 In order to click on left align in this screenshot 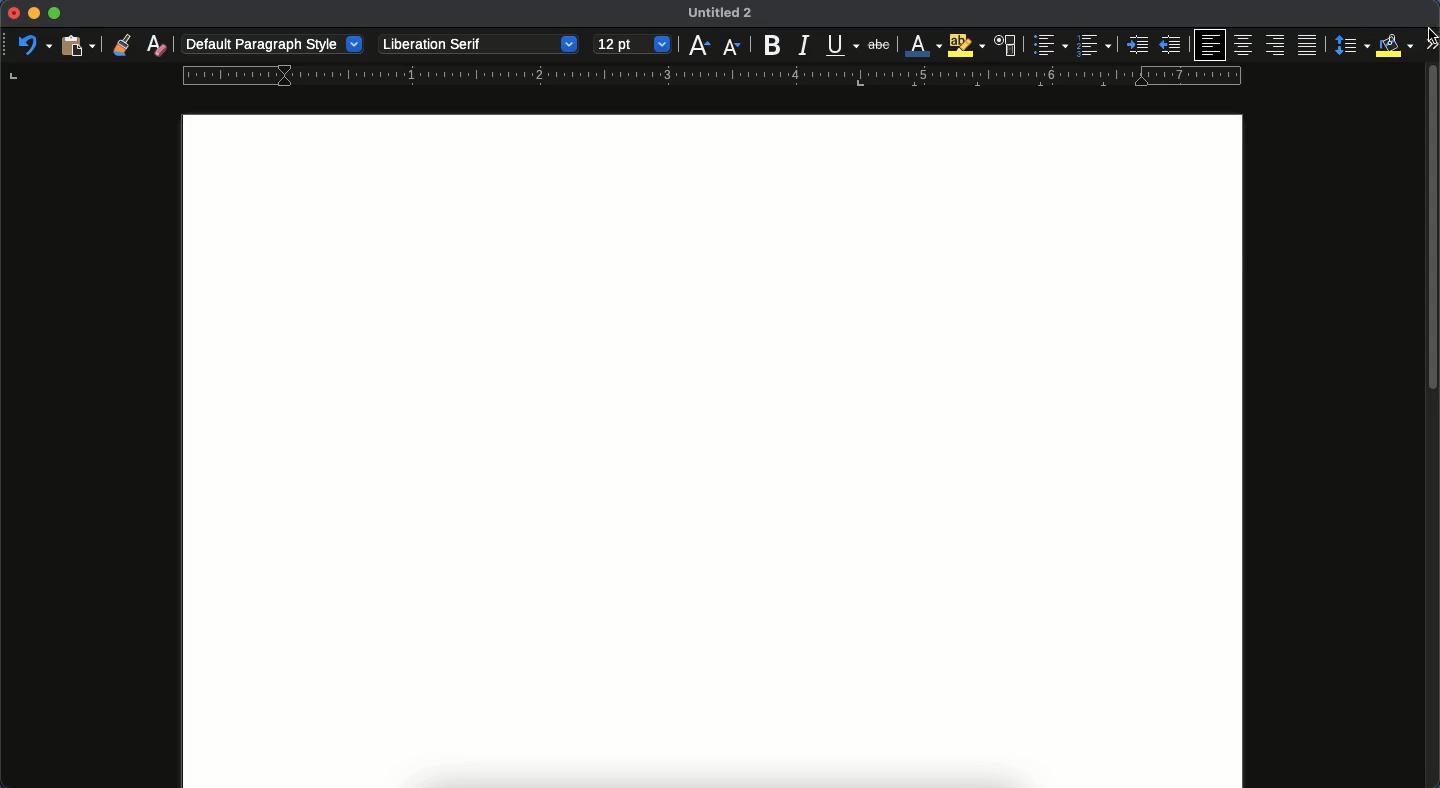, I will do `click(1210, 44)`.